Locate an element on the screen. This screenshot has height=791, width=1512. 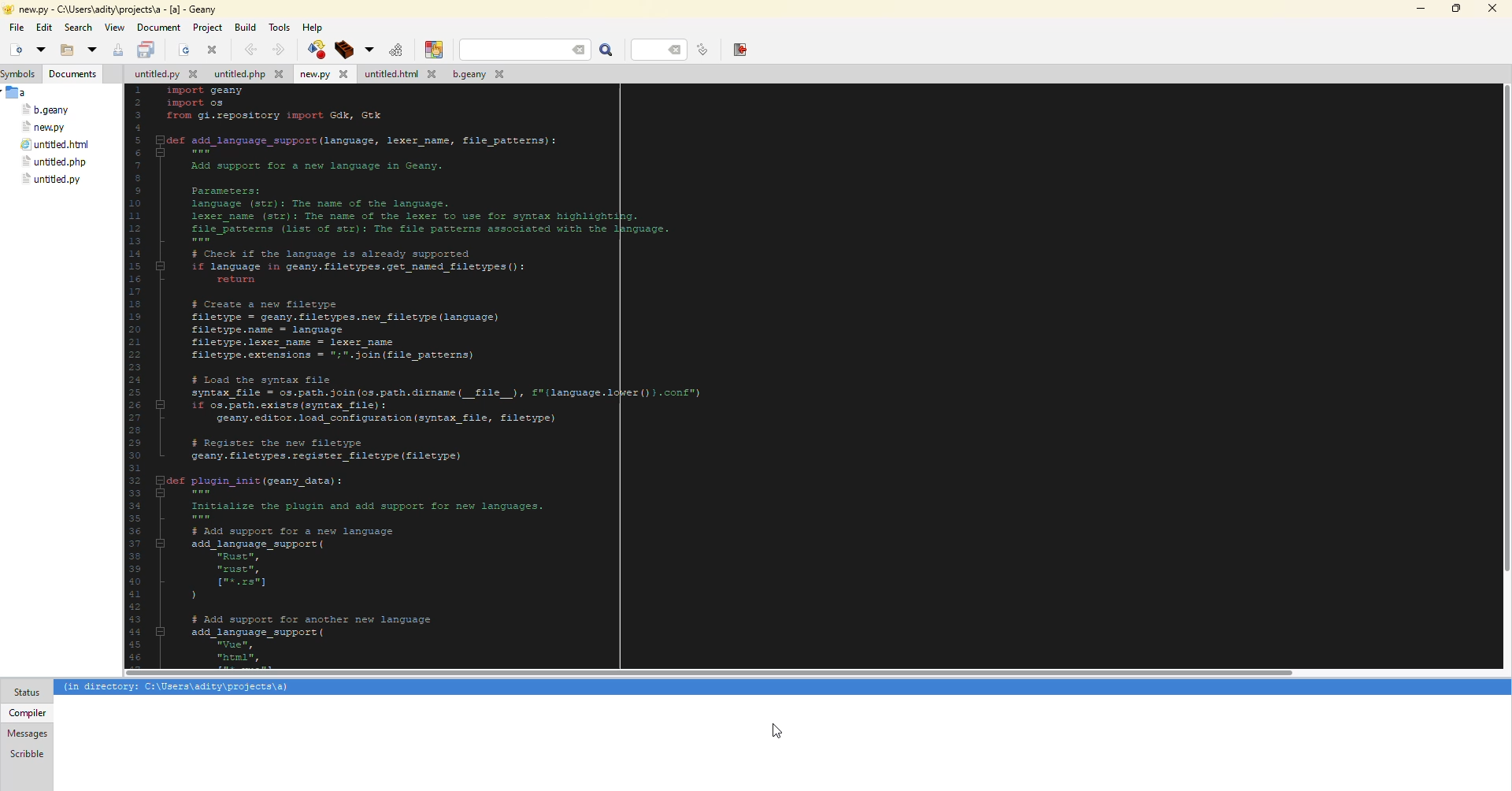
file is located at coordinates (398, 74).